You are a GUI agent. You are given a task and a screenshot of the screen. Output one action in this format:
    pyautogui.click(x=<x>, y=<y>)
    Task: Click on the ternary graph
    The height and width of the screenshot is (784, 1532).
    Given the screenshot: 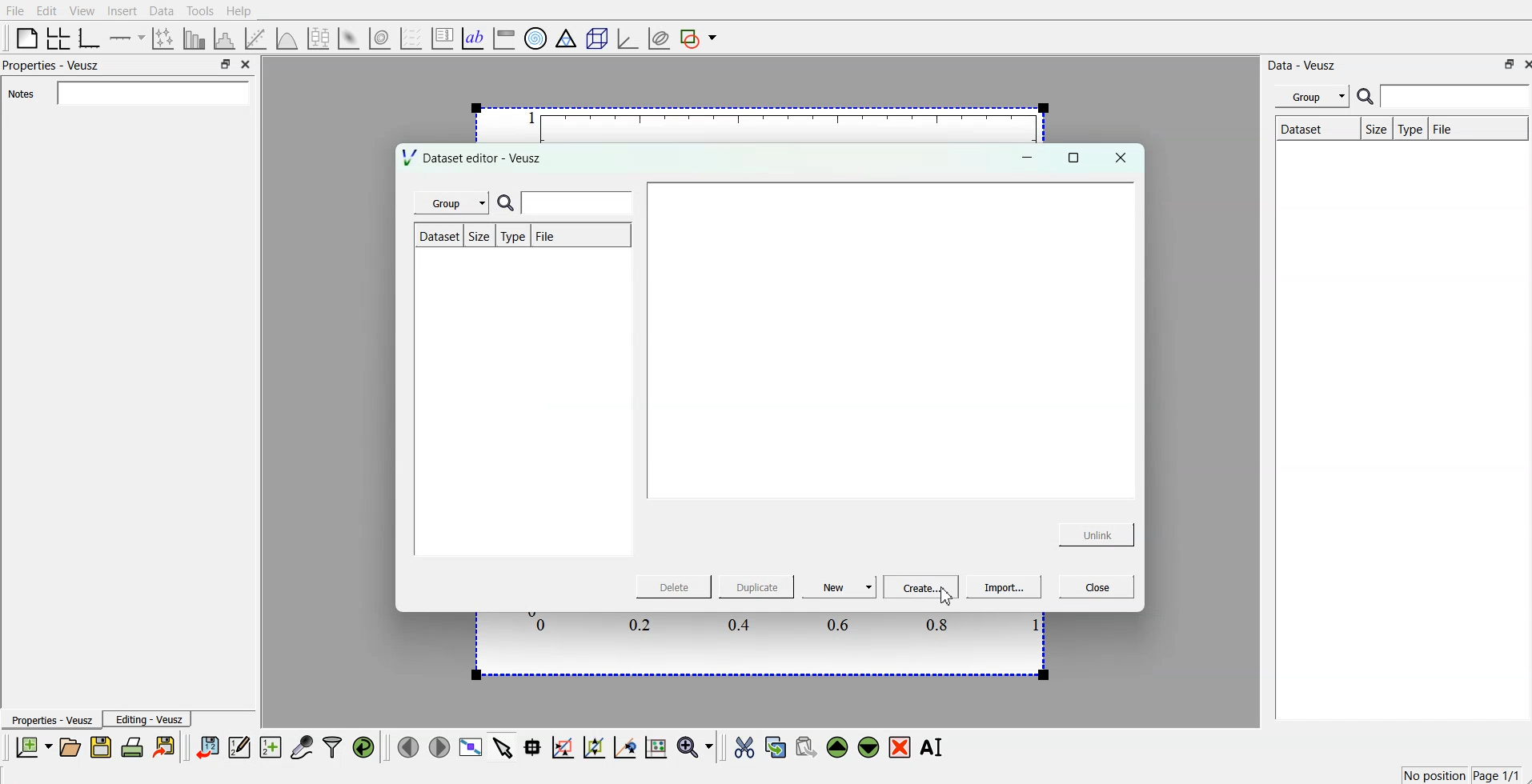 What is the action you would take?
    pyautogui.click(x=566, y=37)
    